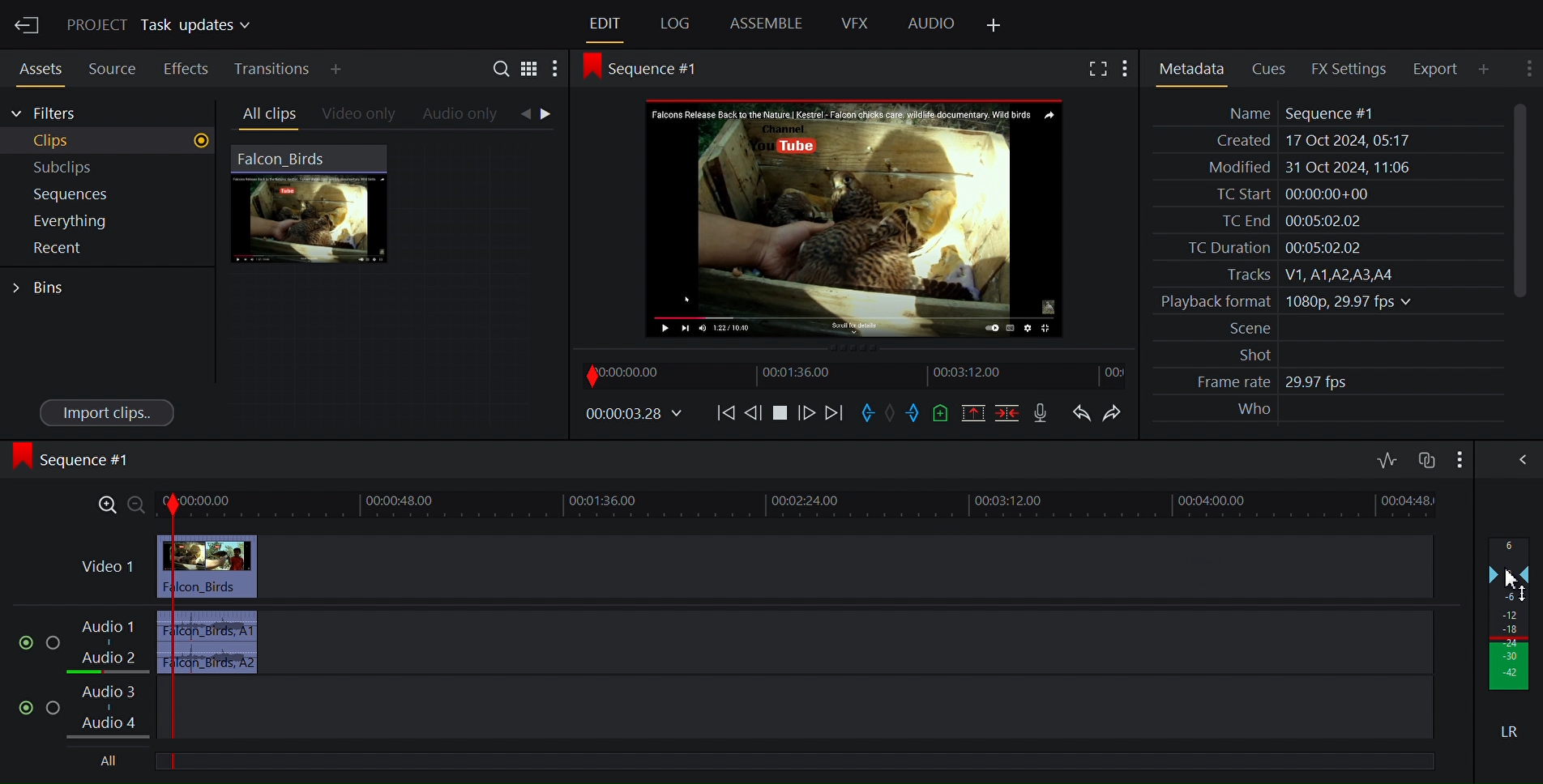 The height and width of the screenshot is (784, 1543). I want to click on 00.00.03.28, so click(634, 415).